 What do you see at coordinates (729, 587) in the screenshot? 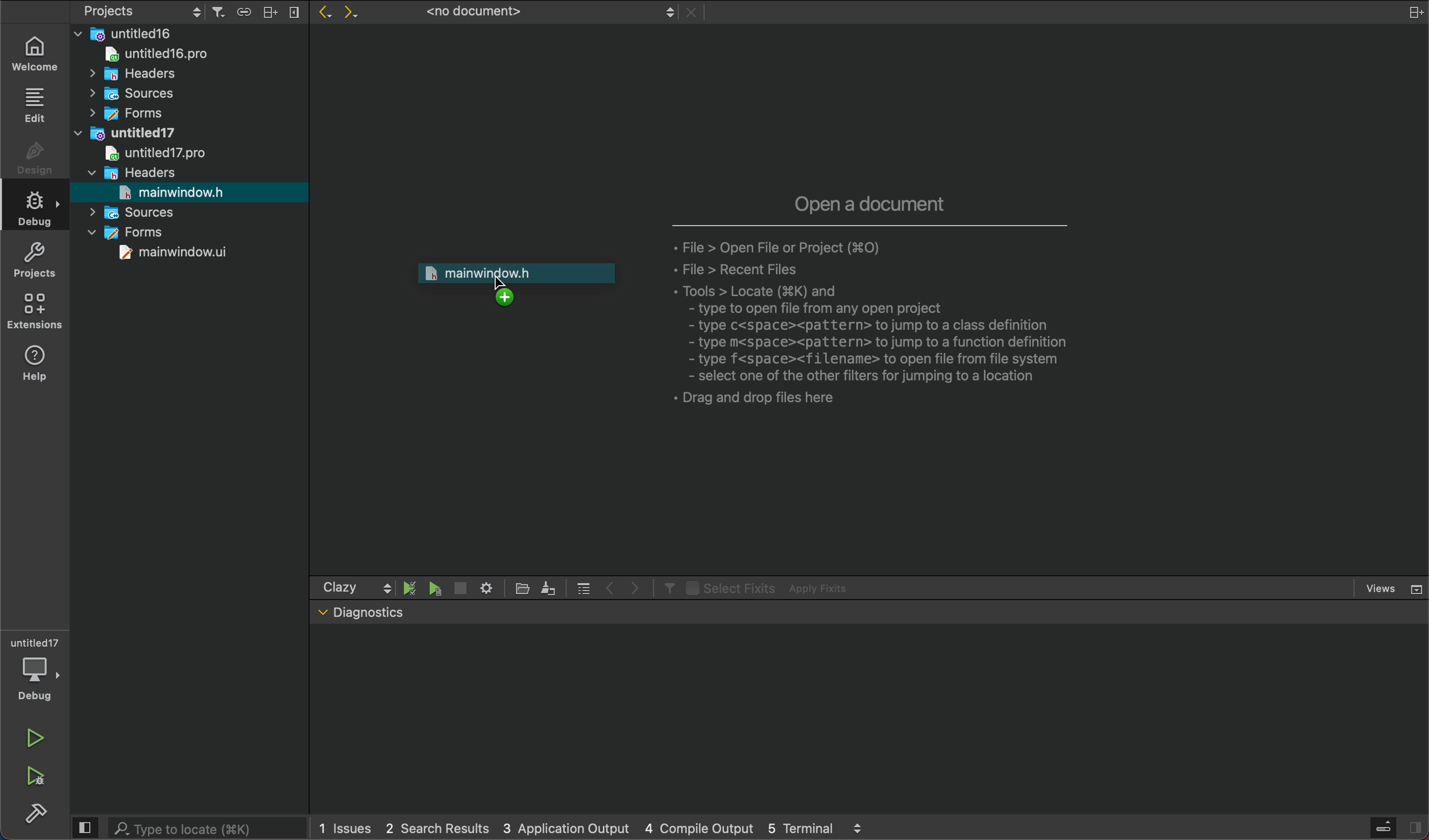
I see `Select fixits` at bounding box center [729, 587].